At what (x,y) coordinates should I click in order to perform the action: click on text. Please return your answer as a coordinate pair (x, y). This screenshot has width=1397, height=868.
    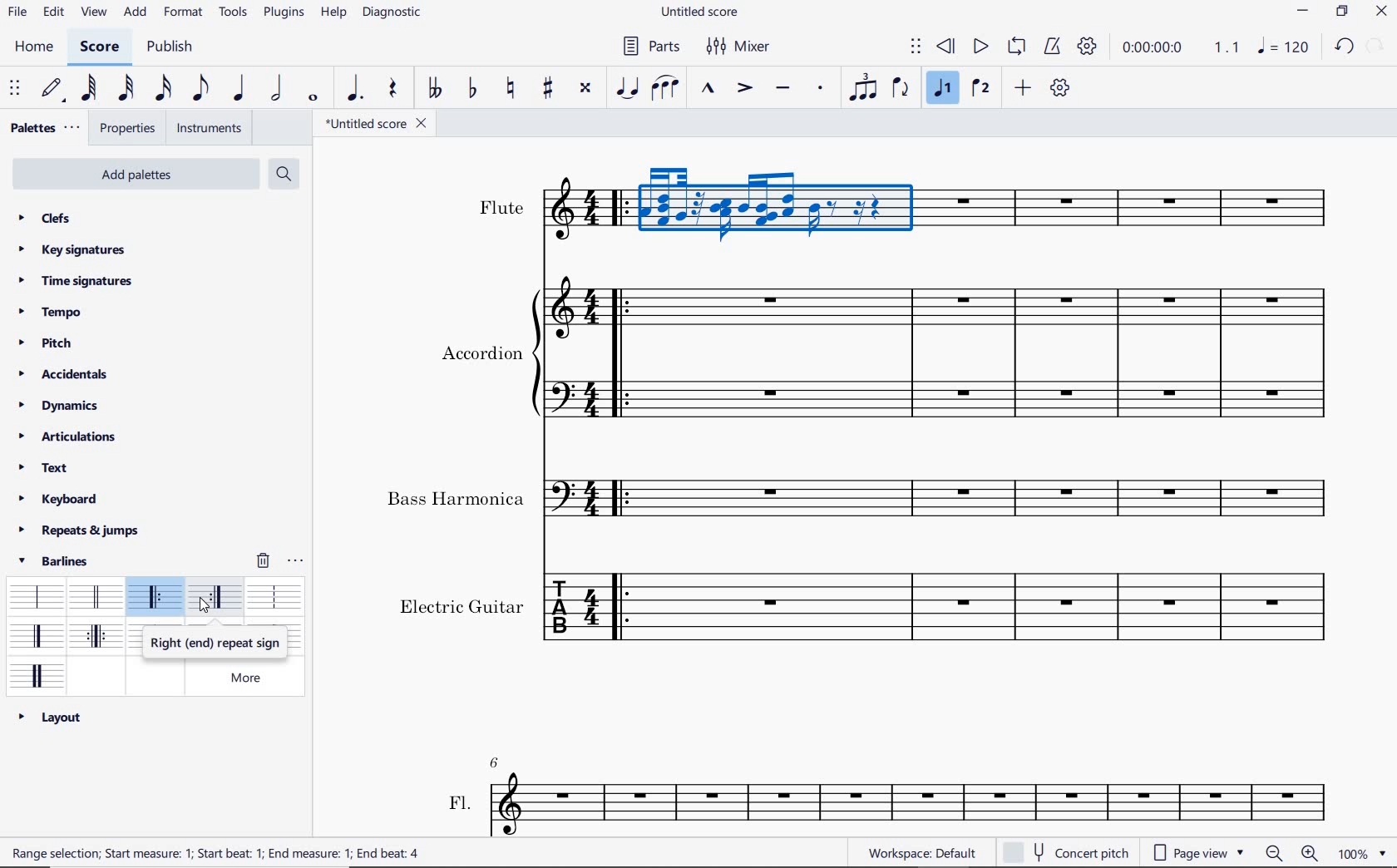
    Looking at the image, I should click on (462, 604).